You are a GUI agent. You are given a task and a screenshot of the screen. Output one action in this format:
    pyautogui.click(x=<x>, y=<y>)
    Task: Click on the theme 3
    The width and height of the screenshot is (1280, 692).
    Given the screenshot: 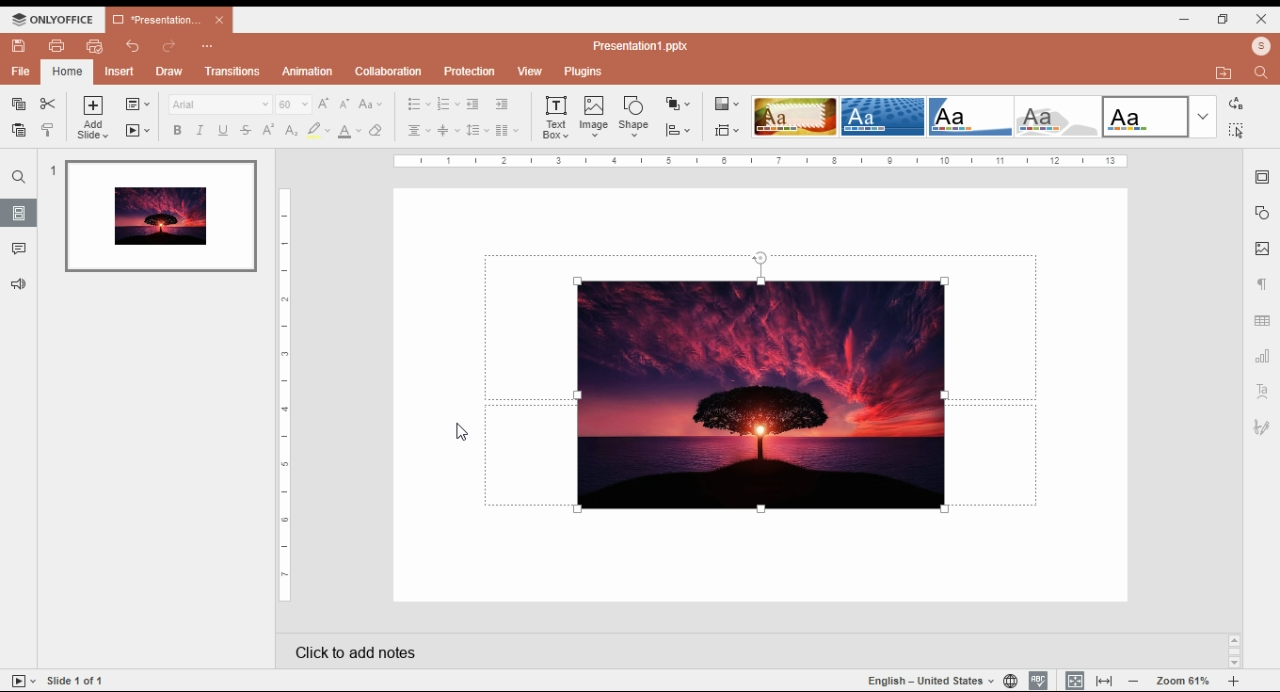 What is the action you would take?
    pyautogui.click(x=969, y=117)
    